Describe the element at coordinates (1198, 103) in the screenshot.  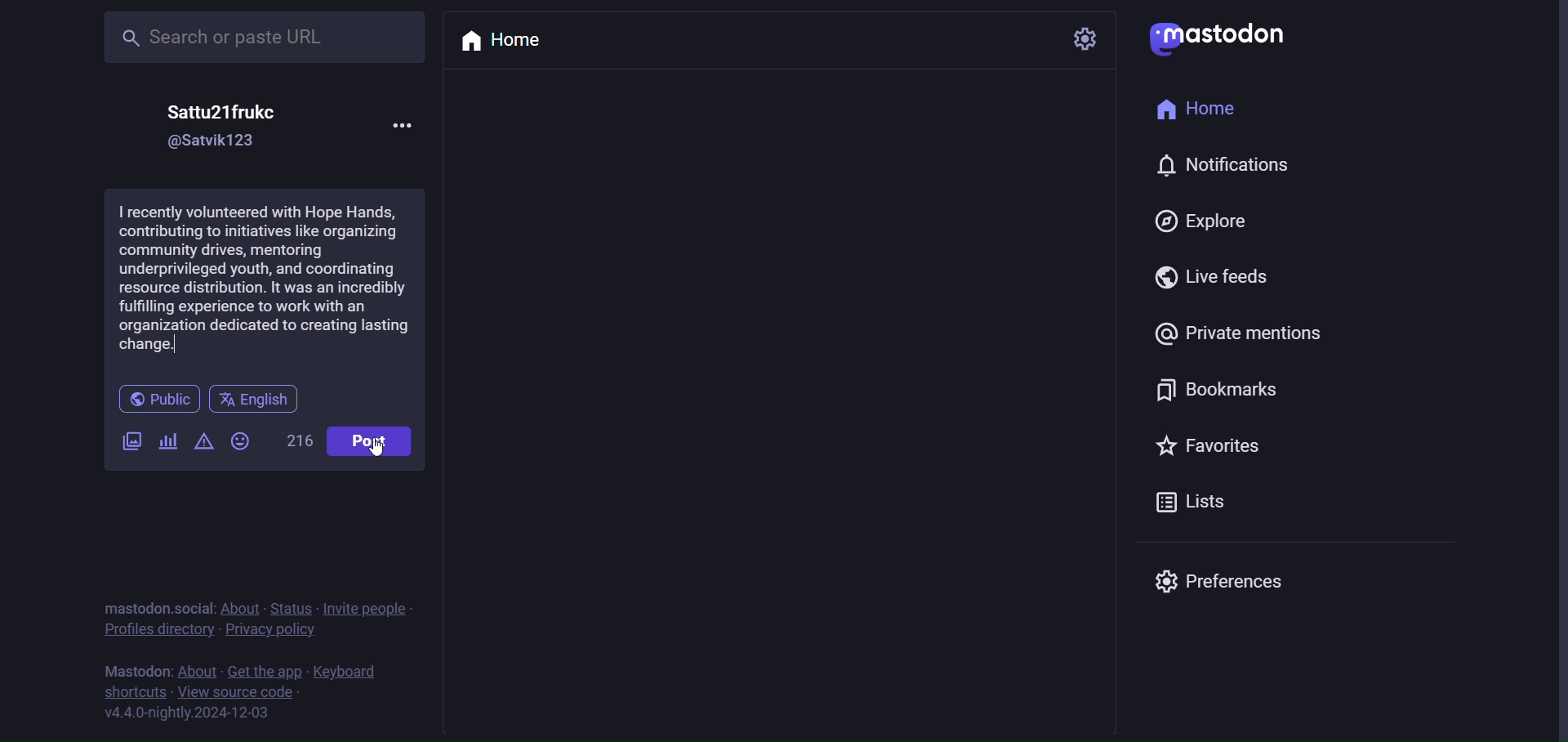
I see `home` at that location.